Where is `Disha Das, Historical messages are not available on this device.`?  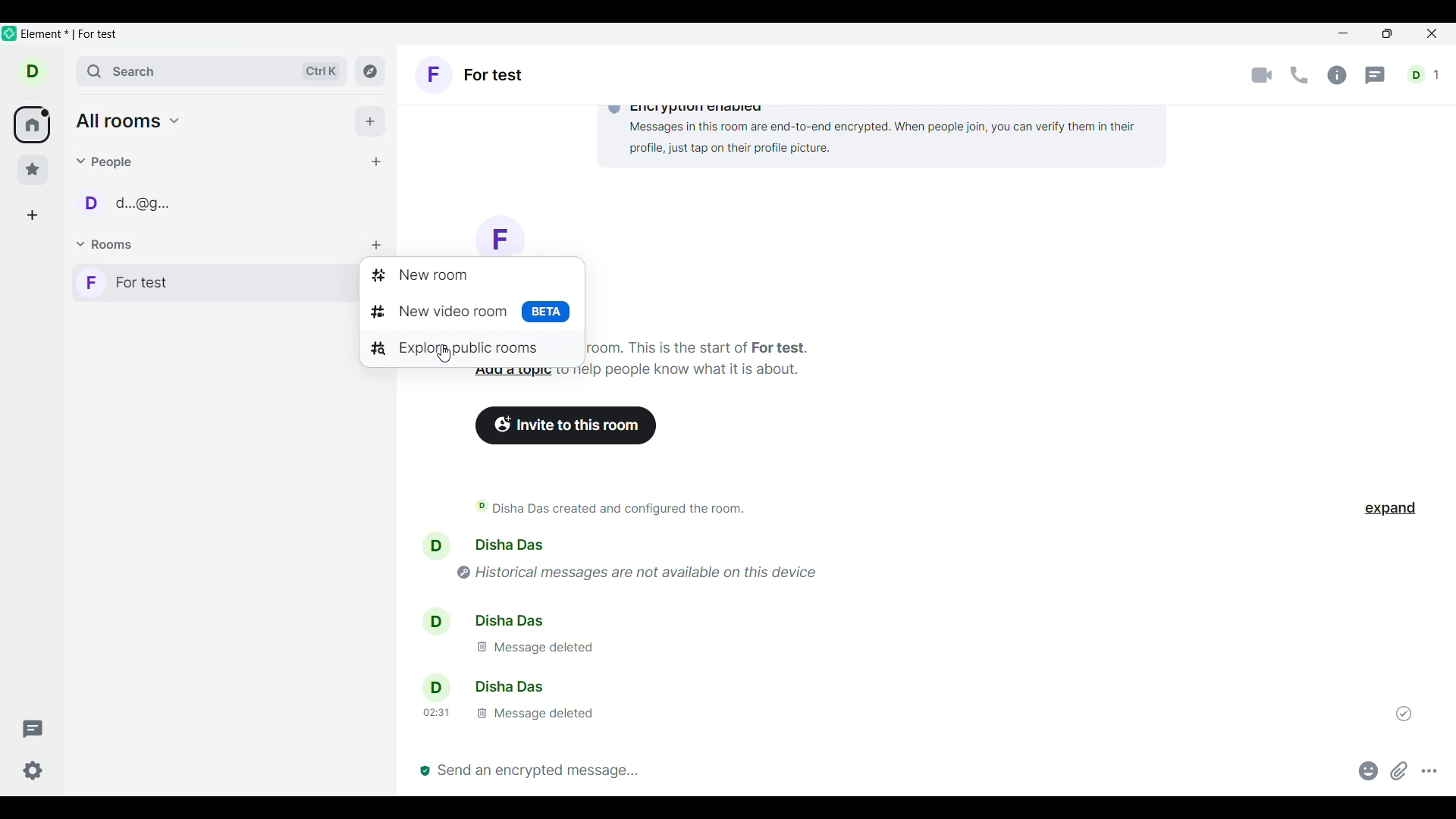 Disha Das, Historical messages are not available on this device. is located at coordinates (728, 558).